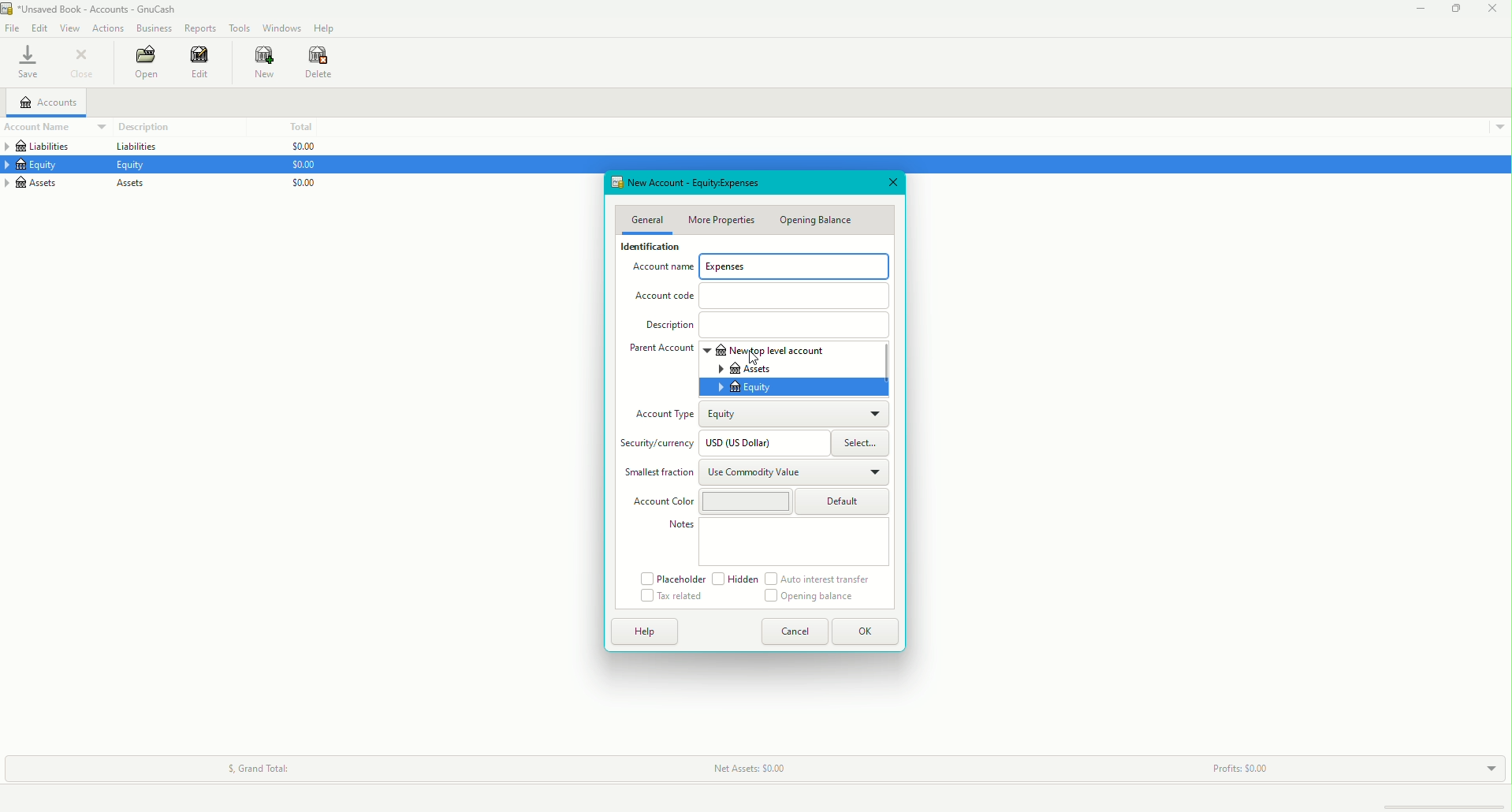 This screenshot has height=812, width=1512. What do you see at coordinates (69, 27) in the screenshot?
I see `View` at bounding box center [69, 27].